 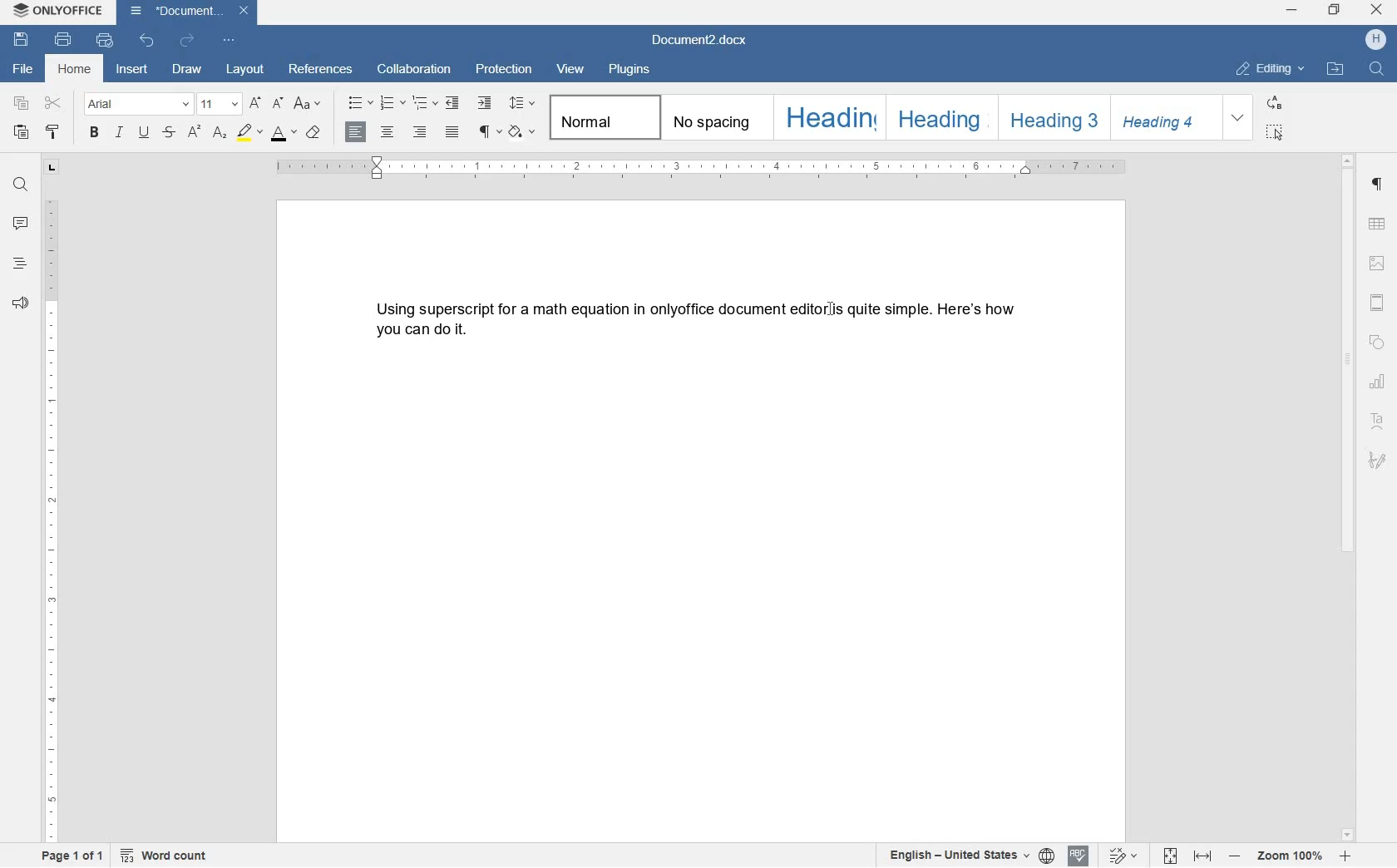 I want to click on restore, so click(x=1335, y=9).